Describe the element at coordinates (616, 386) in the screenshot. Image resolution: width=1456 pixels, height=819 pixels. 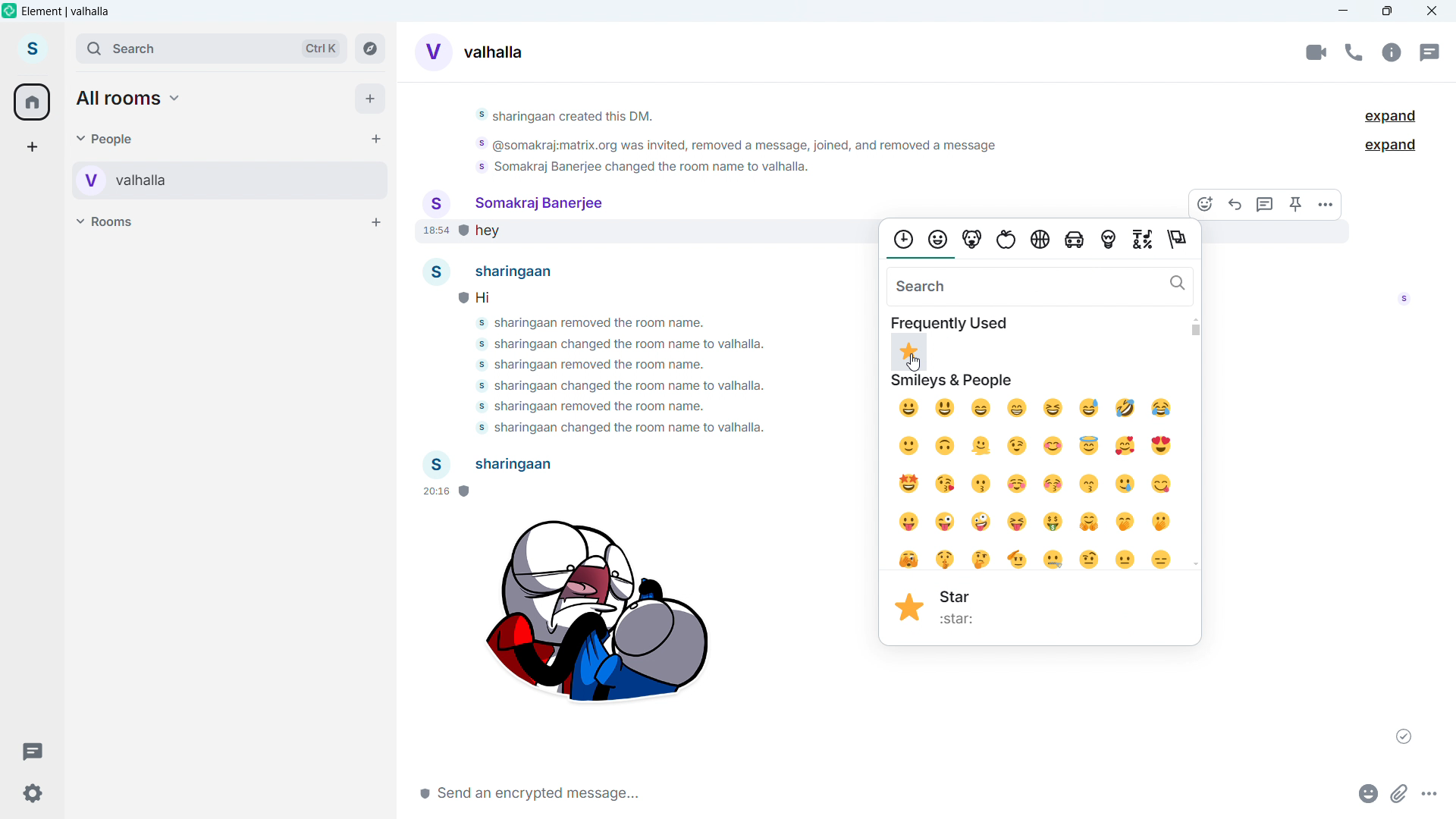
I see `somakraj banerjee charged the room name to valhalla` at that location.